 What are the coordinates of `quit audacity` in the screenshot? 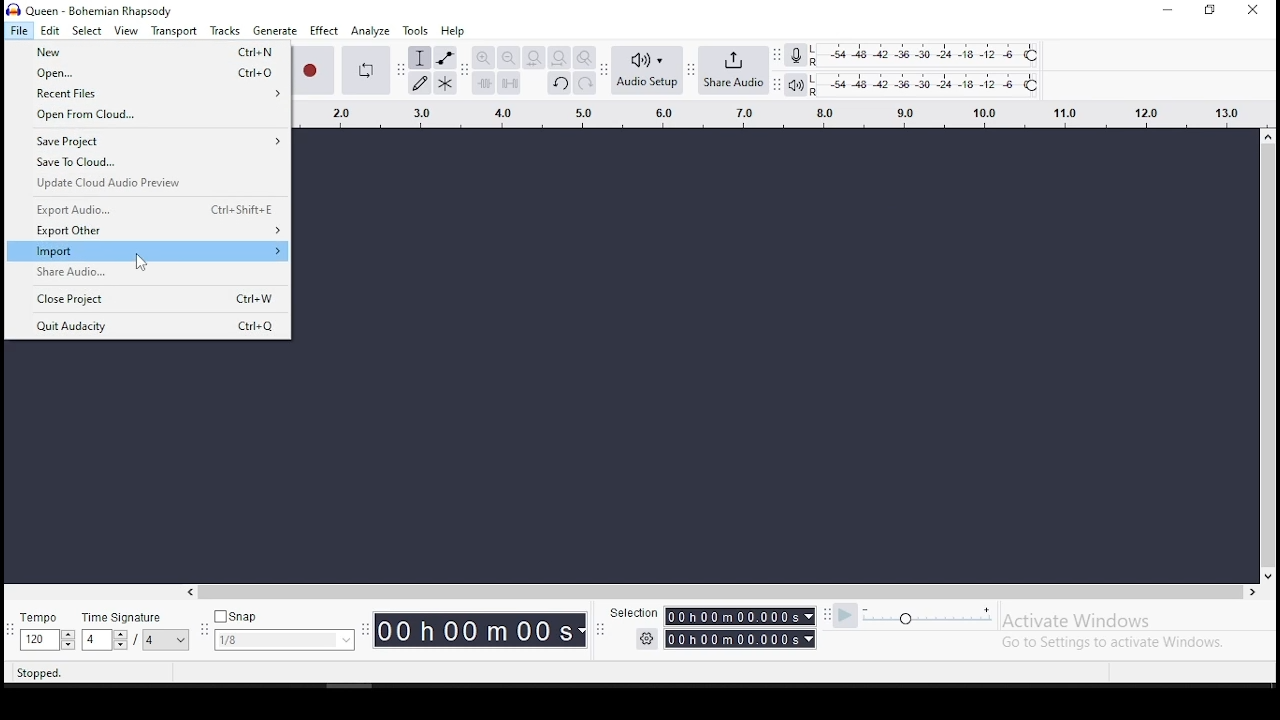 It's located at (148, 325).